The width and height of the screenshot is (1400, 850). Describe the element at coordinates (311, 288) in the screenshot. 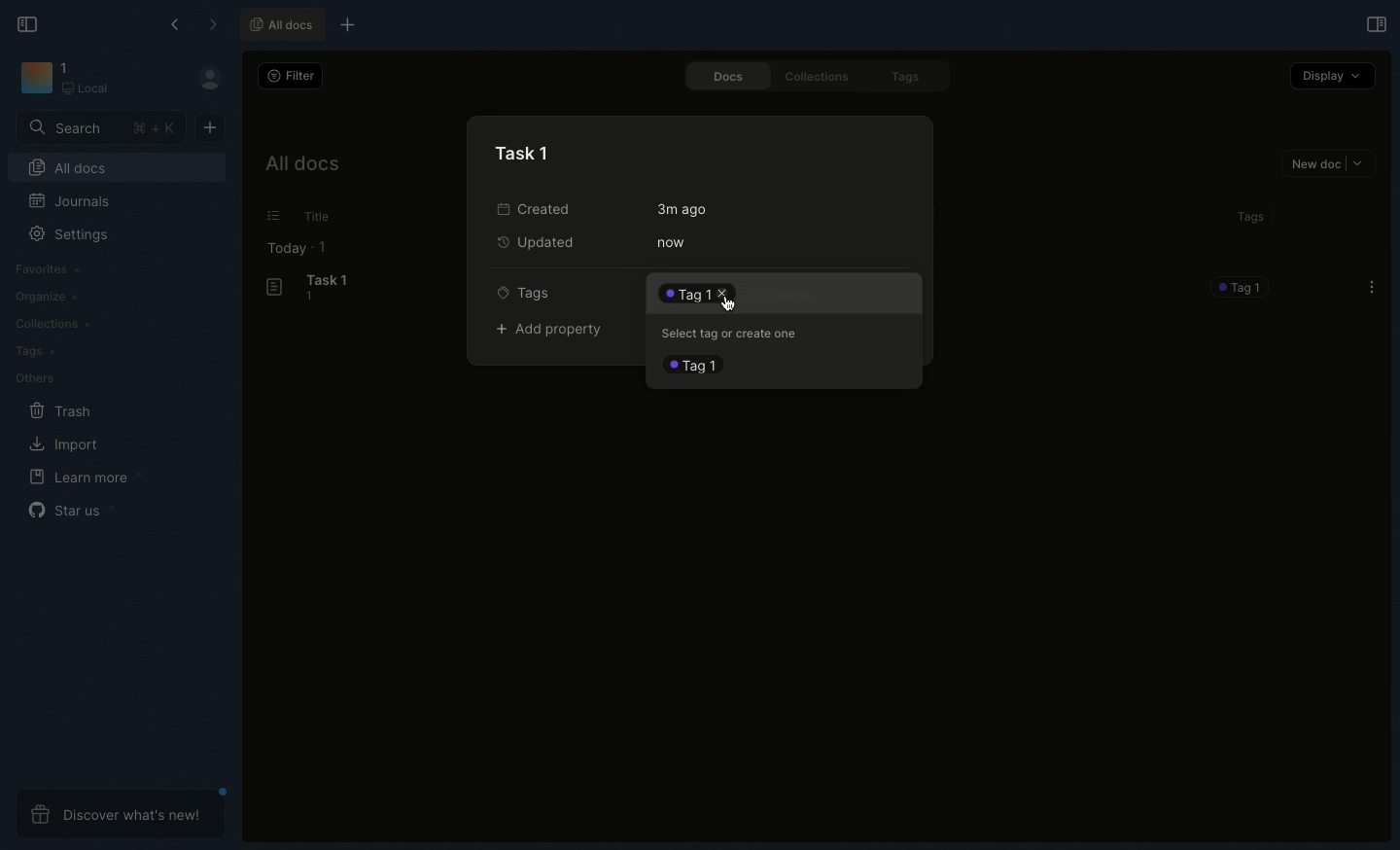

I see `Task 1` at that location.